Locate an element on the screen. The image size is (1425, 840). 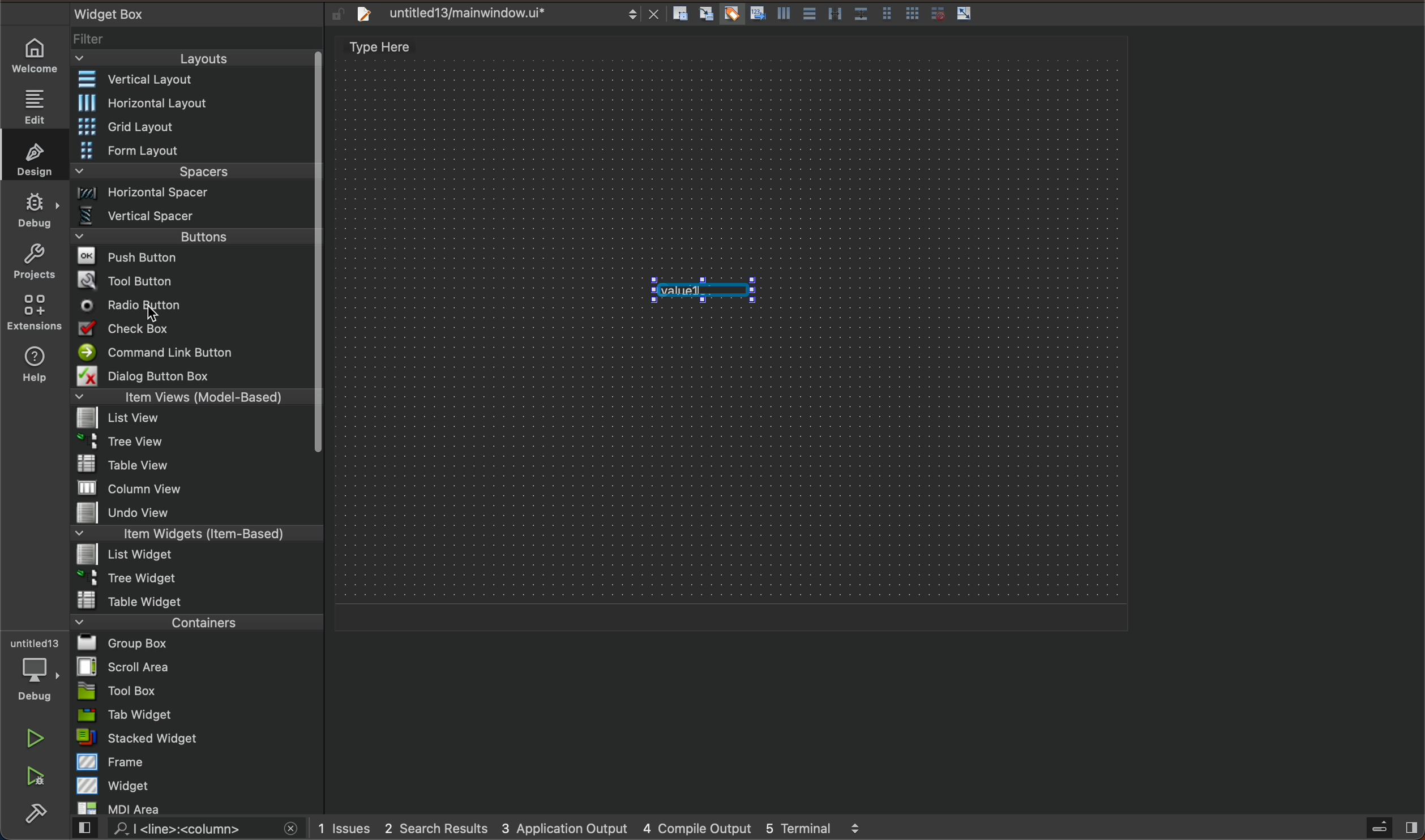
edit is located at coordinates (40, 102).